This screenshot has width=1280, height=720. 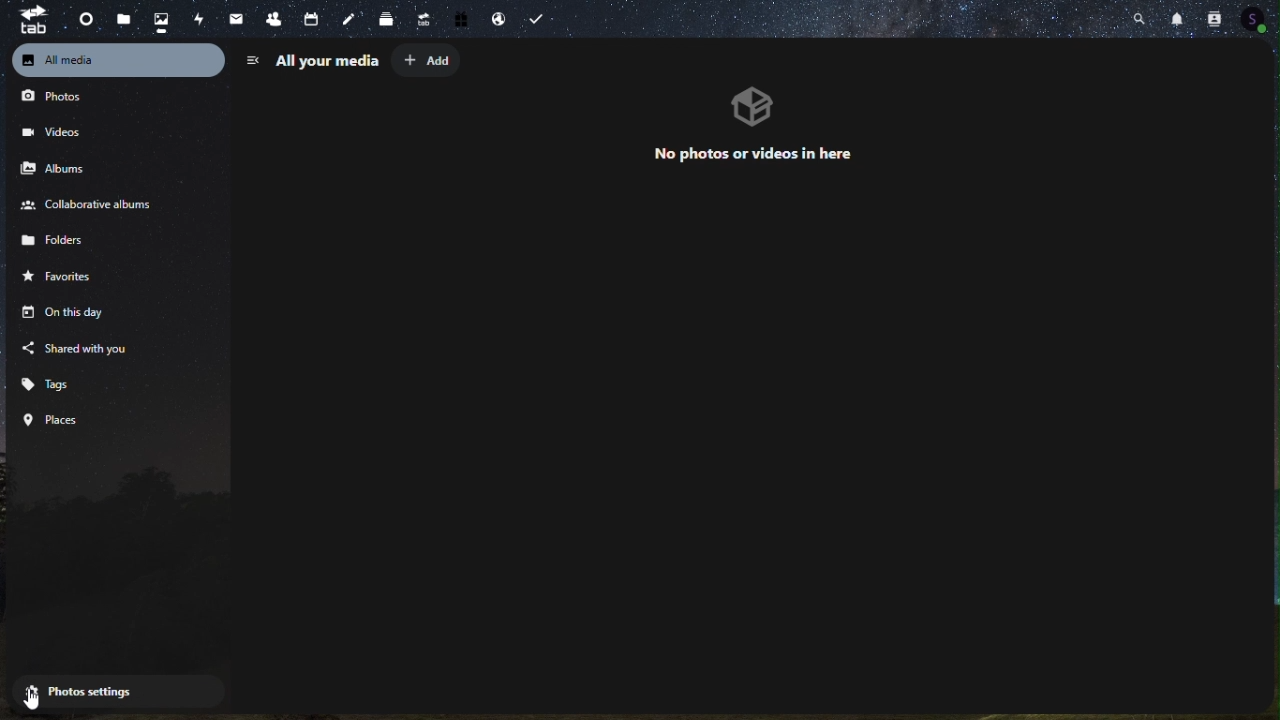 What do you see at coordinates (197, 17) in the screenshot?
I see `activity` at bounding box center [197, 17].